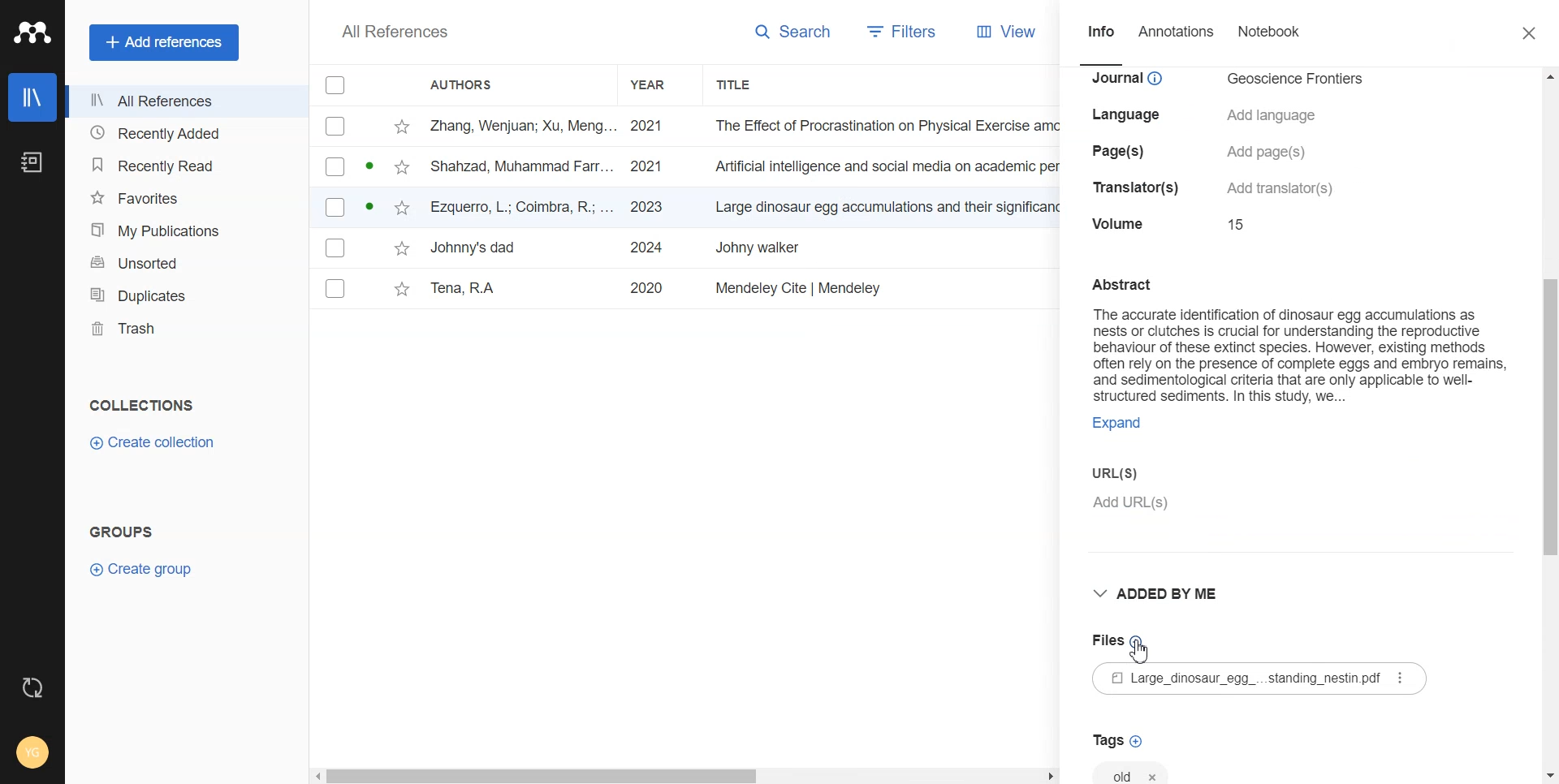  Describe the element at coordinates (1138, 189) in the screenshot. I see `details` at that location.